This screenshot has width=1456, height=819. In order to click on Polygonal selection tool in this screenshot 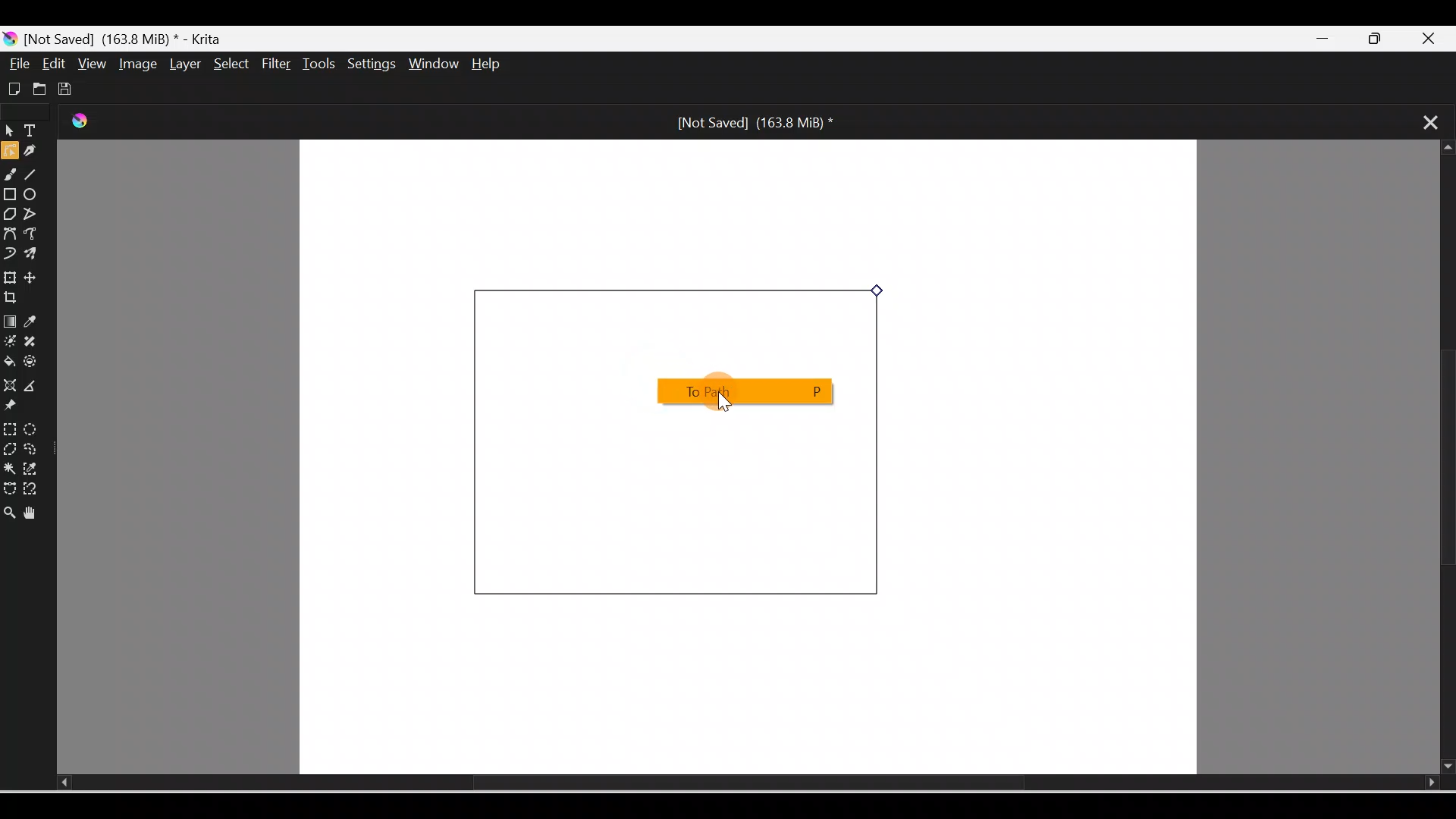, I will do `click(10, 447)`.